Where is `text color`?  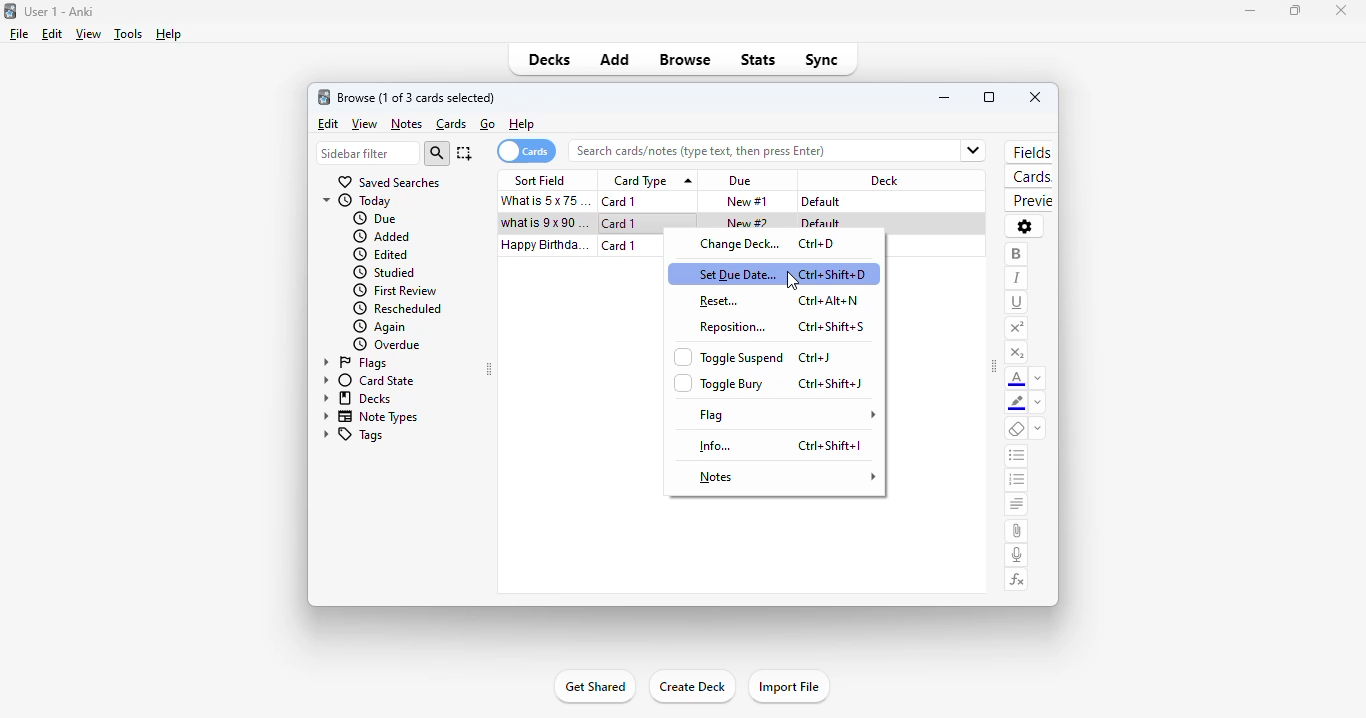
text color is located at coordinates (1019, 378).